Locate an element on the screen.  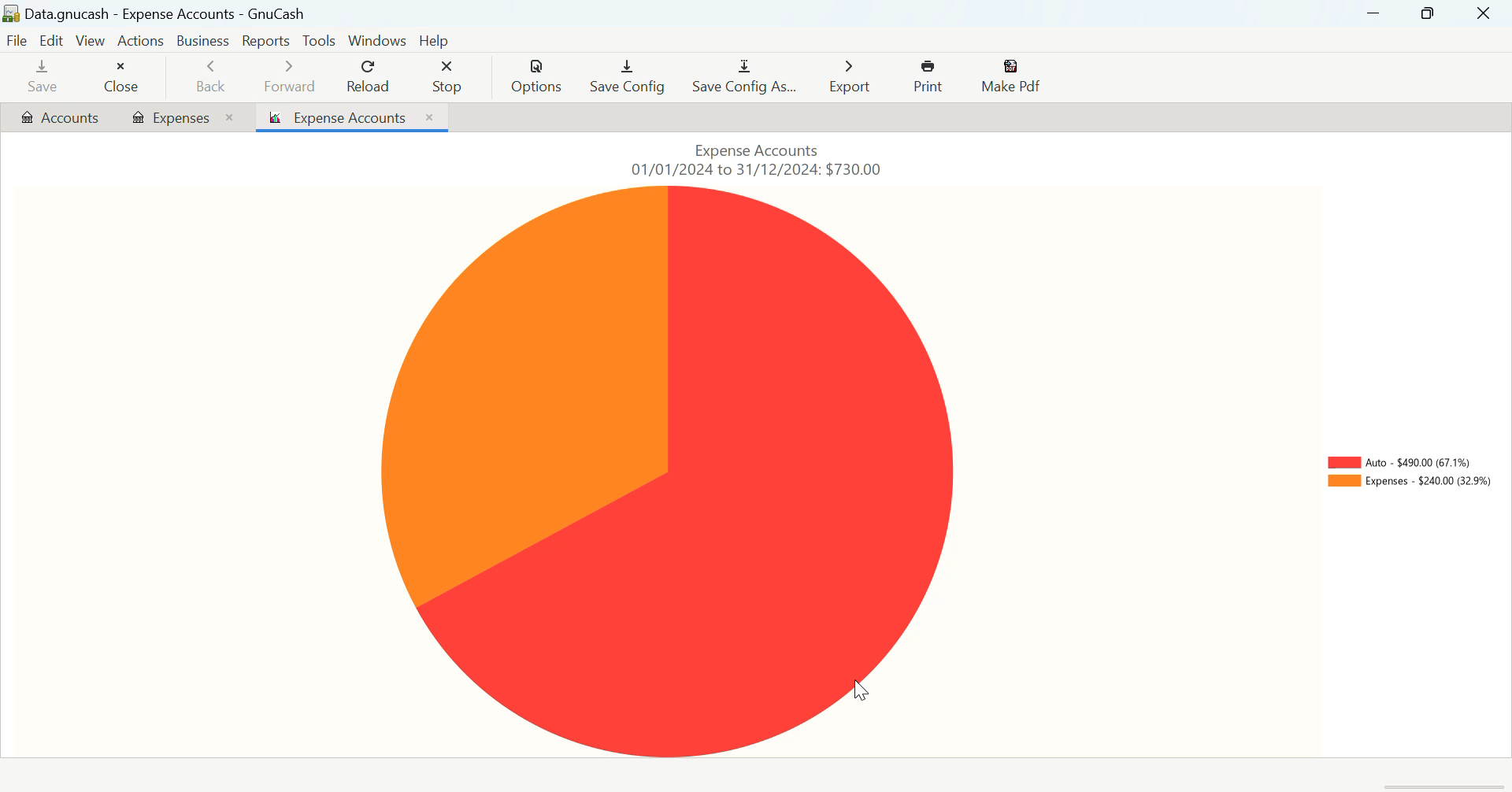
Cursor Position AFTER_LAST_ACTION is located at coordinates (862, 693).